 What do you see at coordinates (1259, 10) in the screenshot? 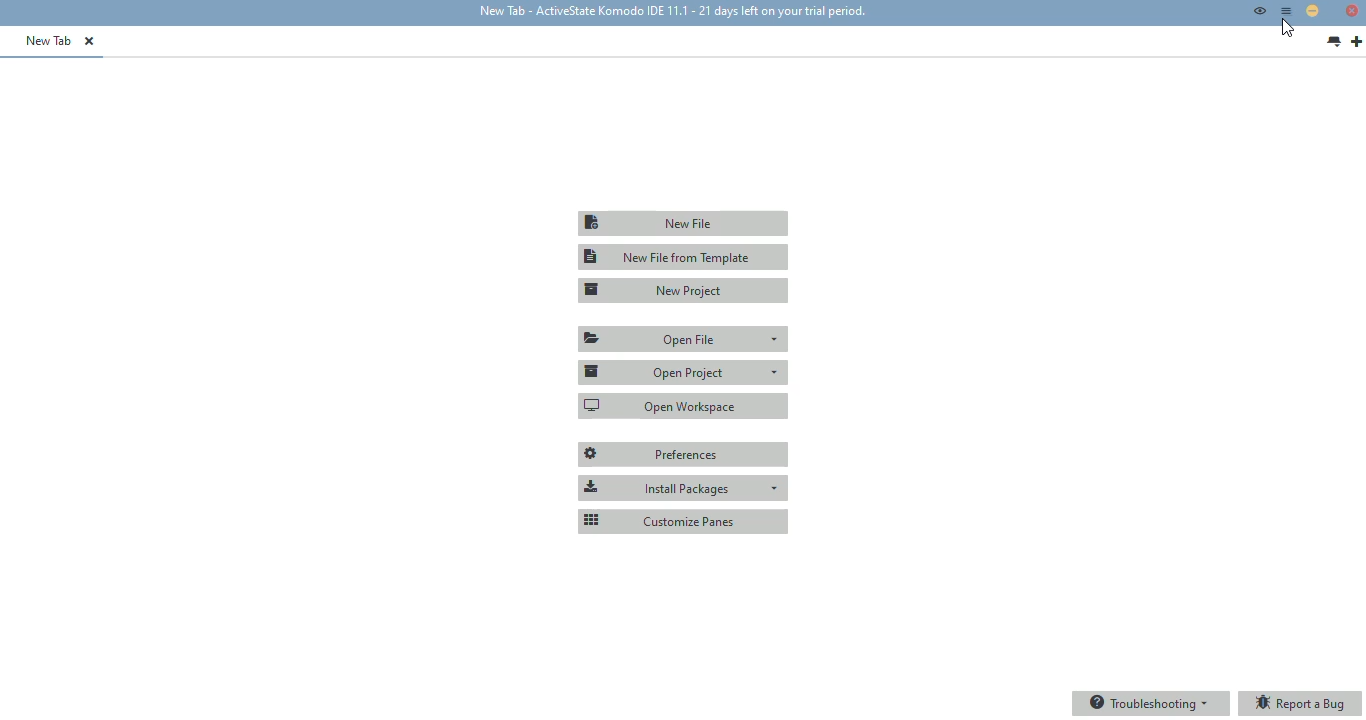
I see `toggle focus mode` at bounding box center [1259, 10].